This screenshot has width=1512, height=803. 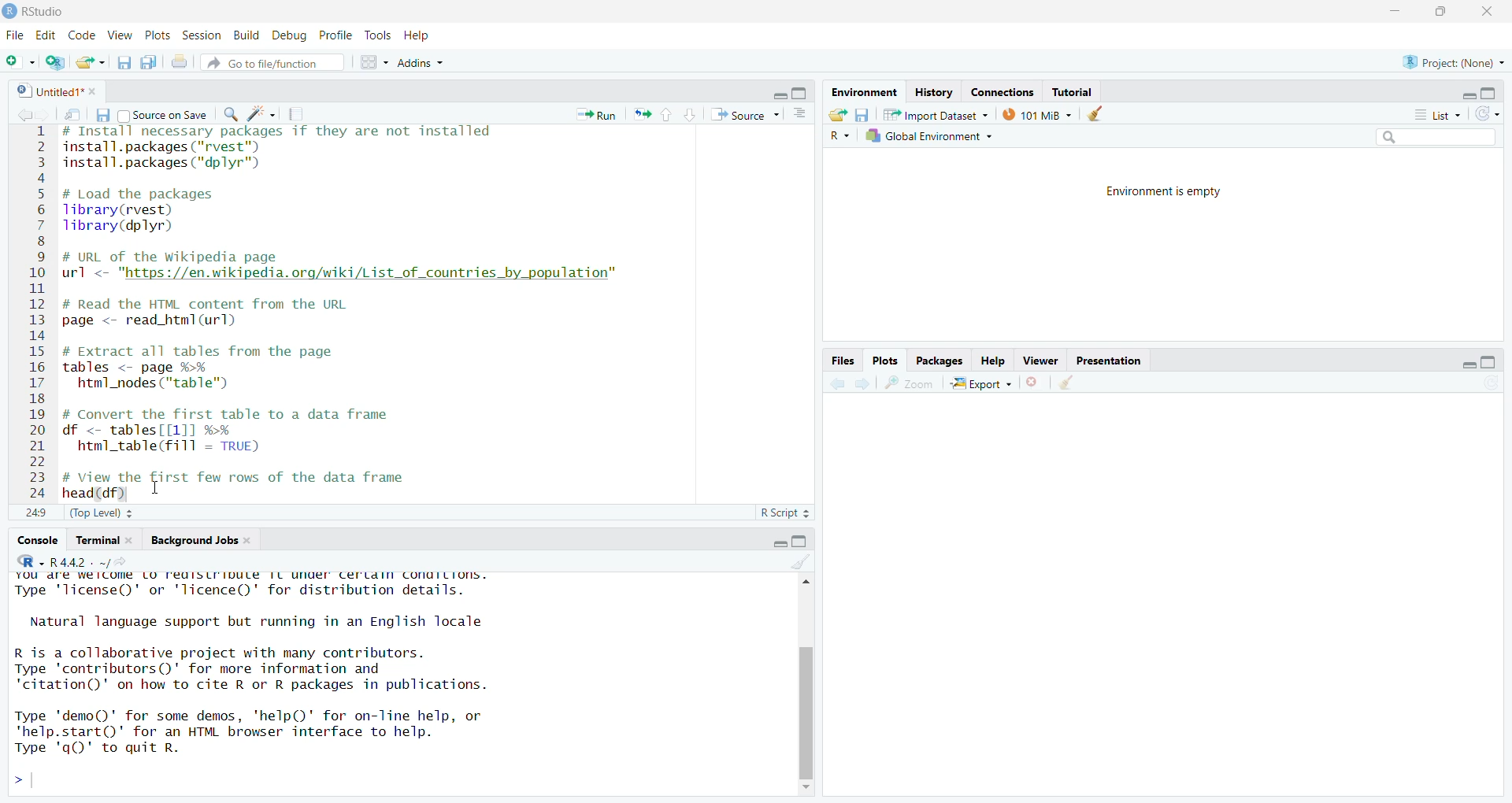 What do you see at coordinates (934, 94) in the screenshot?
I see `History` at bounding box center [934, 94].